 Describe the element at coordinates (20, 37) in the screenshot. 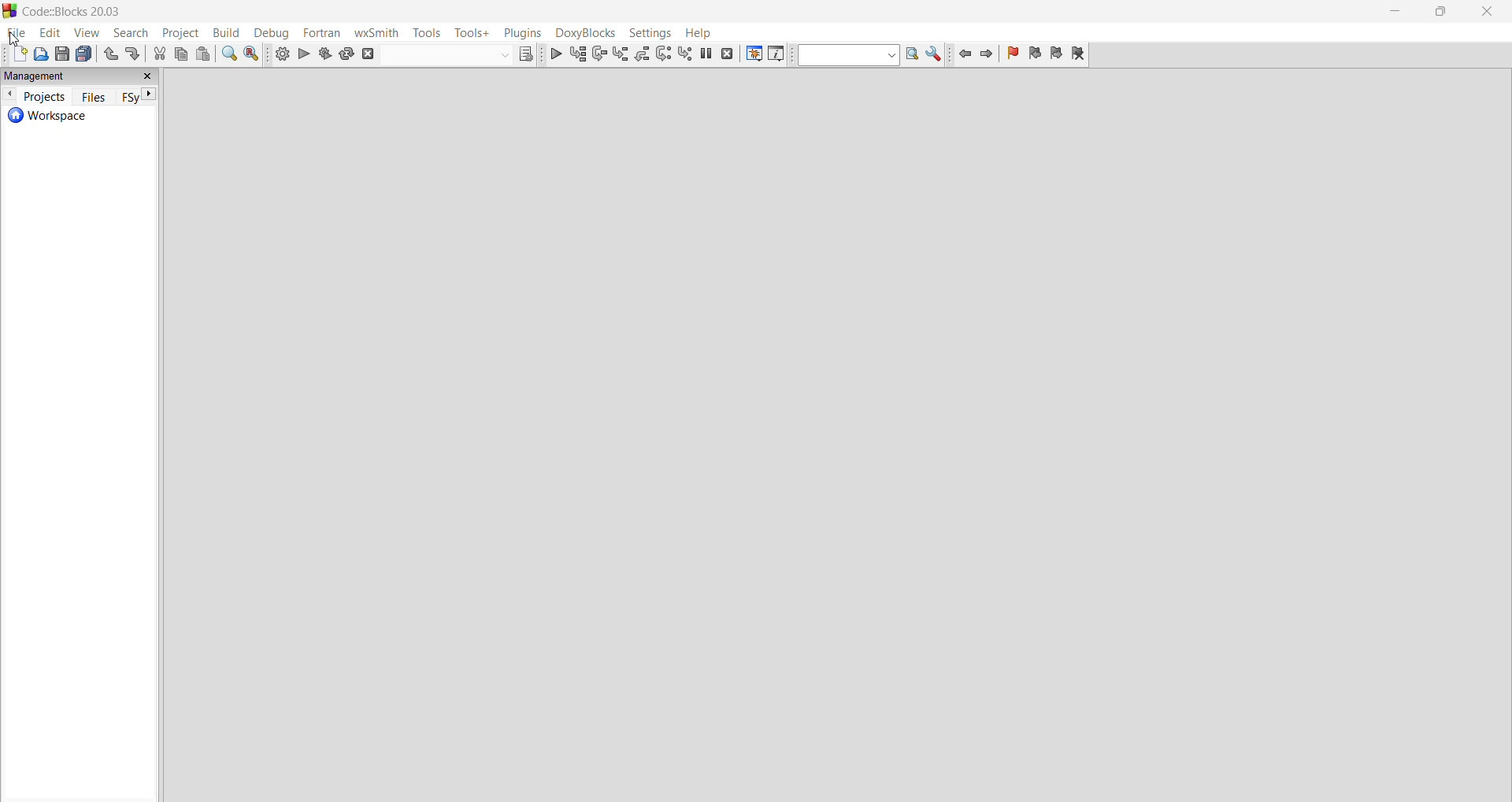

I see `cursor` at that location.